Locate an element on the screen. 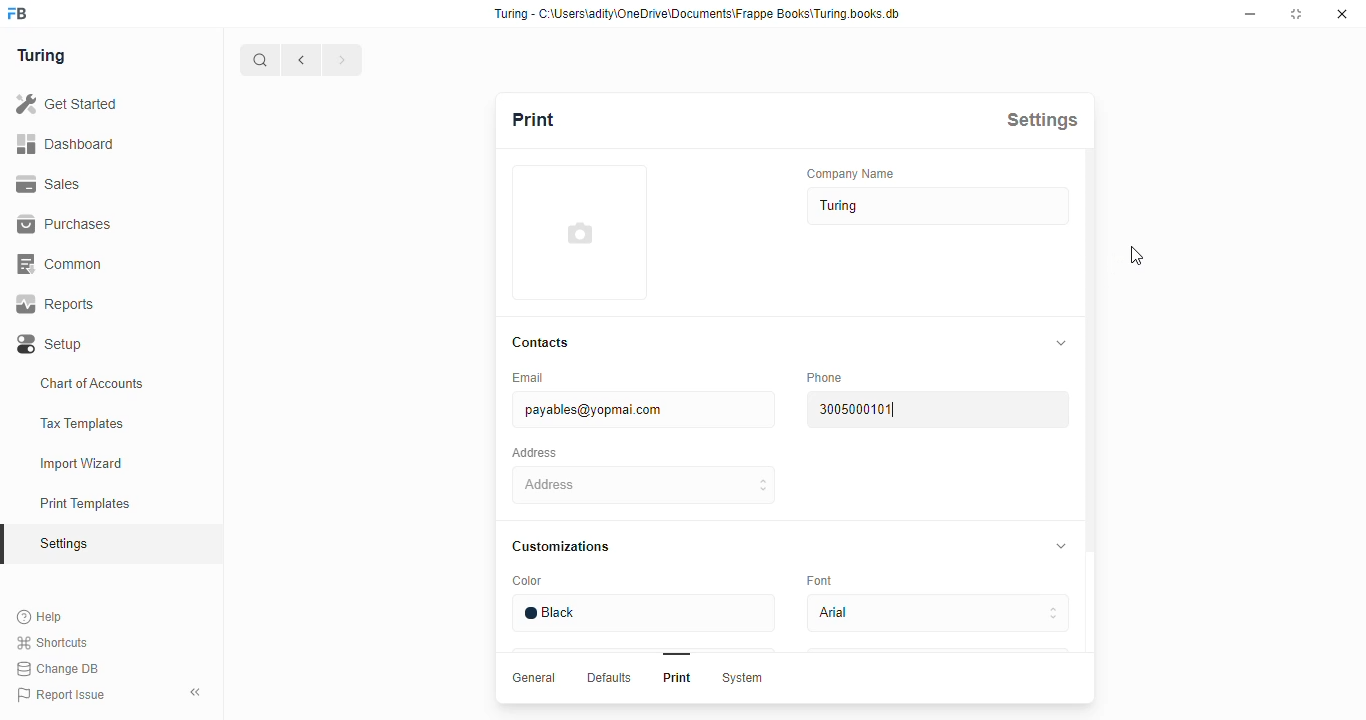 The width and height of the screenshot is (1366, 720). close is located at coordinates (1345, 16).